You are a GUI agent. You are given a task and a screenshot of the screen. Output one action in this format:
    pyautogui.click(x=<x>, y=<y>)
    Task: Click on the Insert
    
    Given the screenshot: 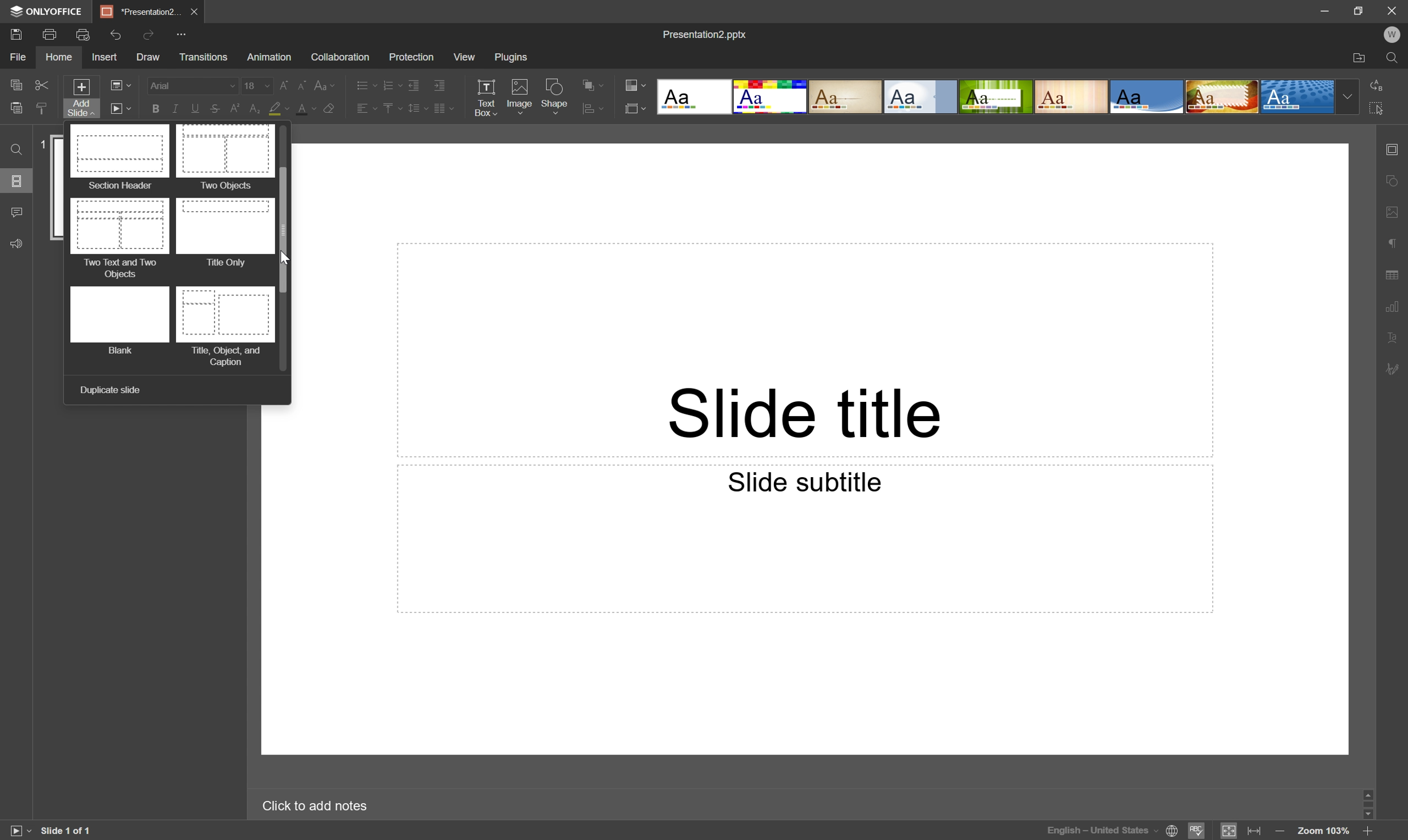 What is the action you would take?
    pyautogui.click(x=103, y=57)
    